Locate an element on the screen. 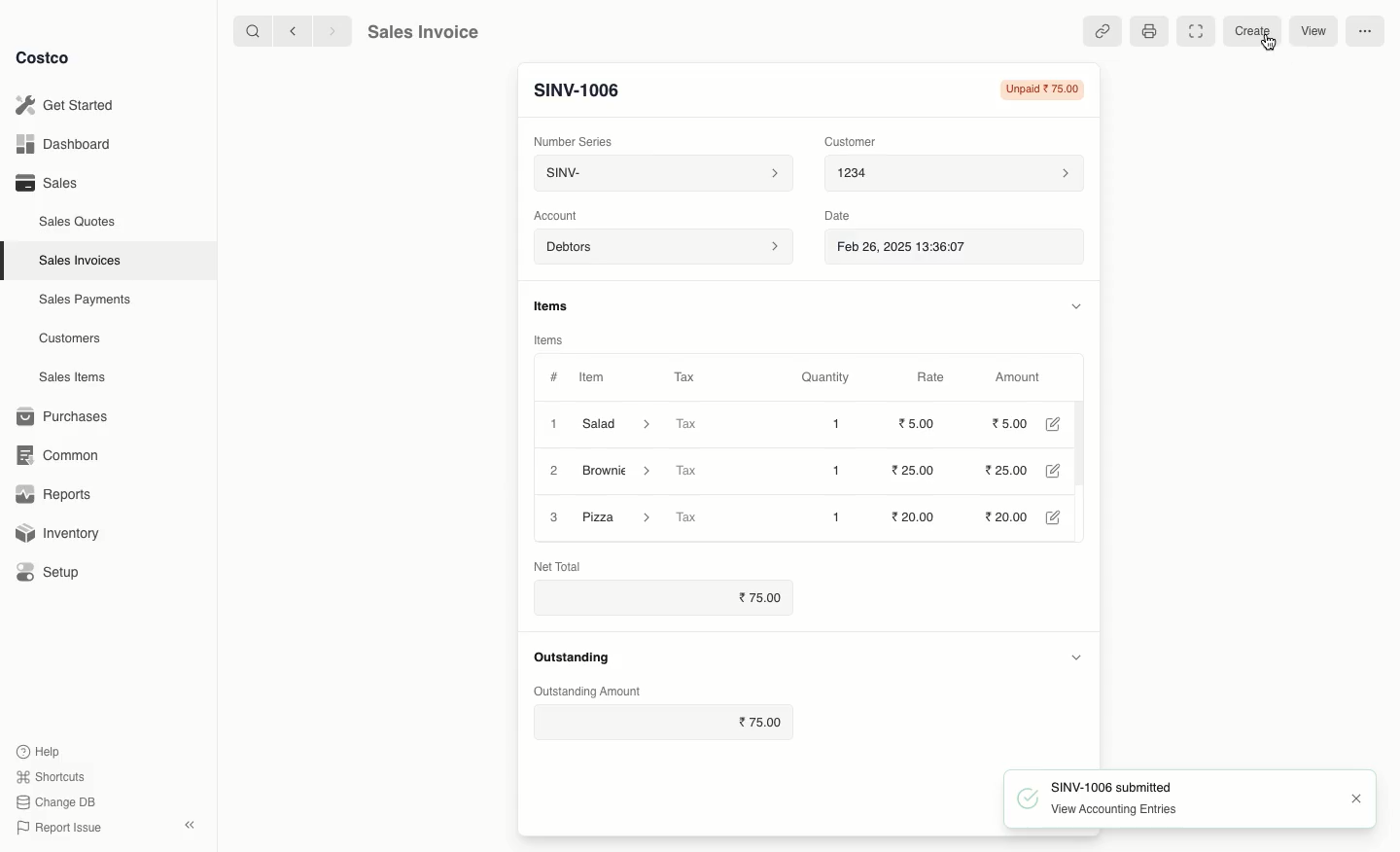 The height and width of the screenshot is (852, 1400). Sales Payments. is located at coordinates (87, 302).